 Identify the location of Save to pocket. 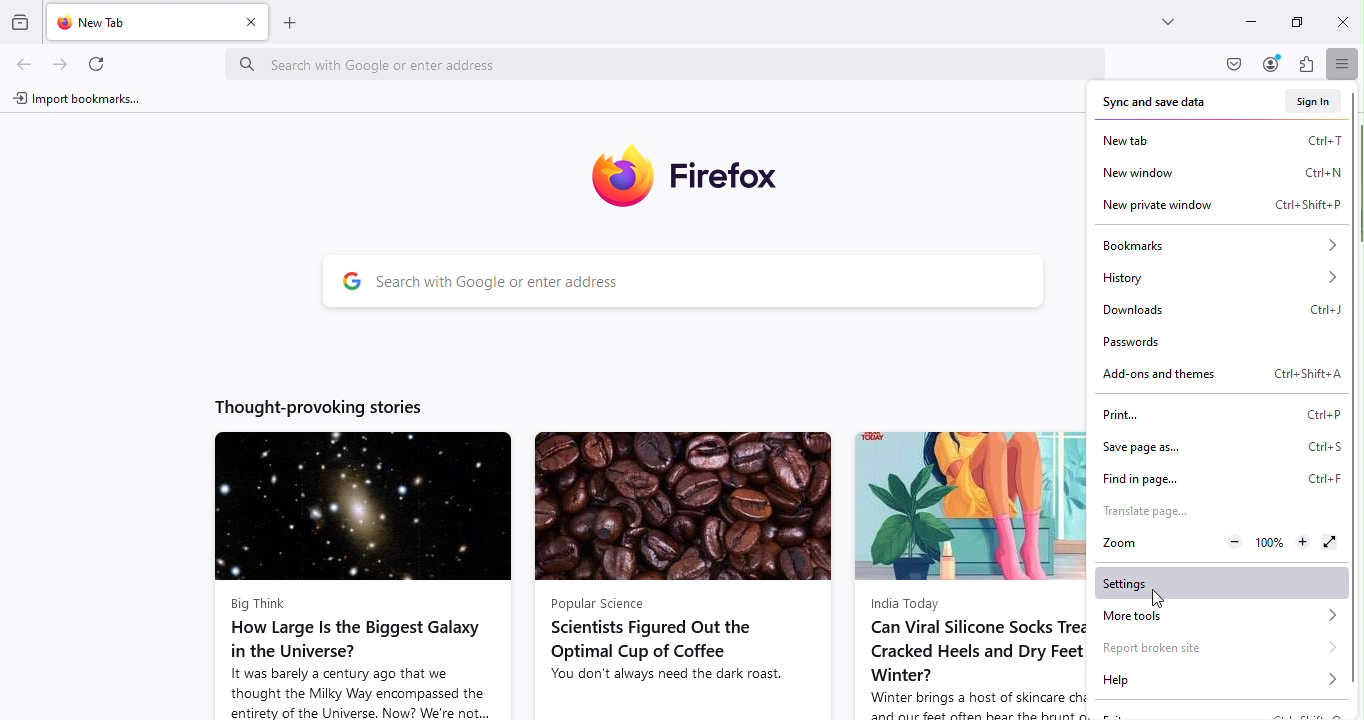
(1235, 64).